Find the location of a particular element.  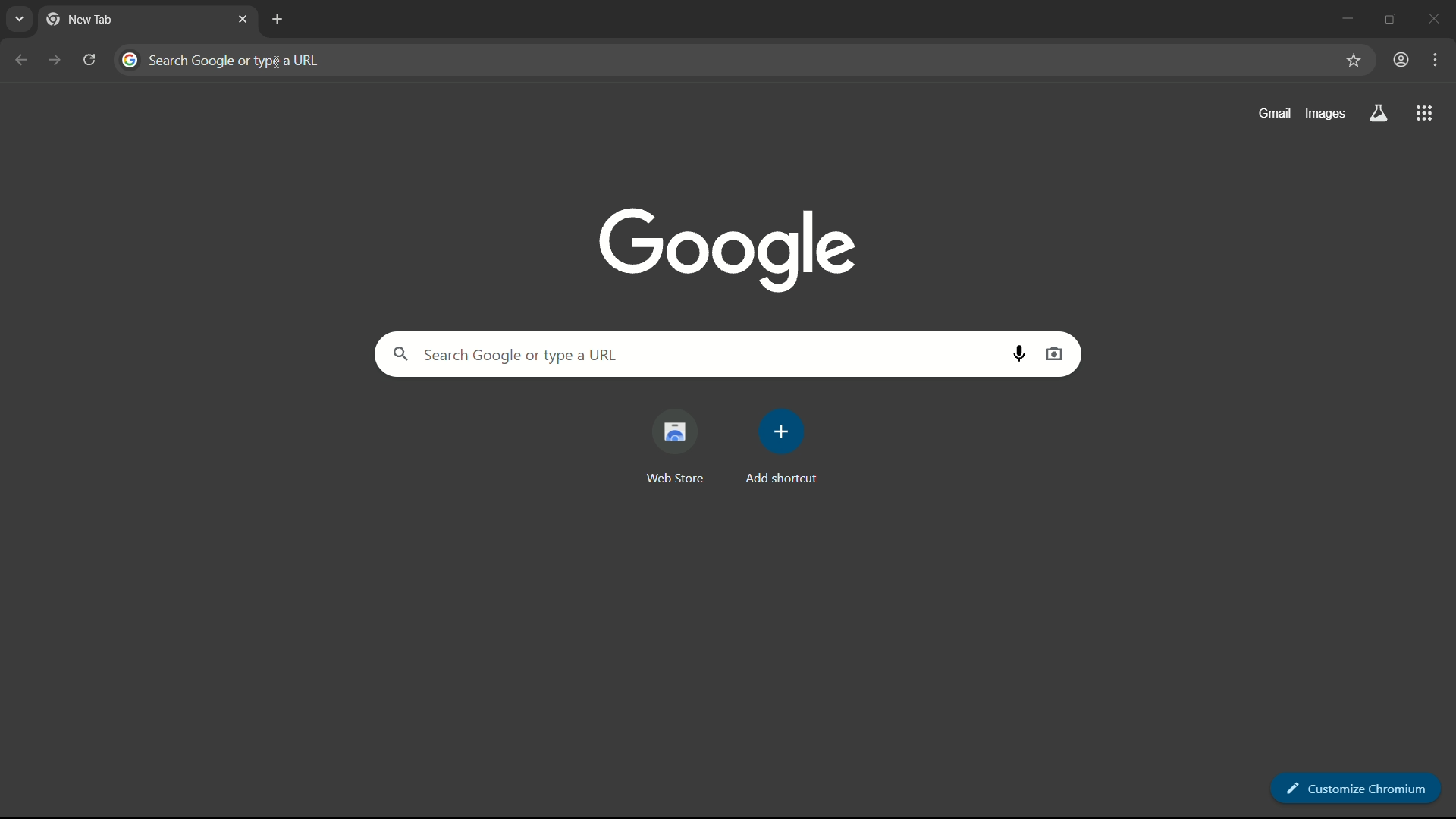

search by image is located at coordinates (1055, 354).